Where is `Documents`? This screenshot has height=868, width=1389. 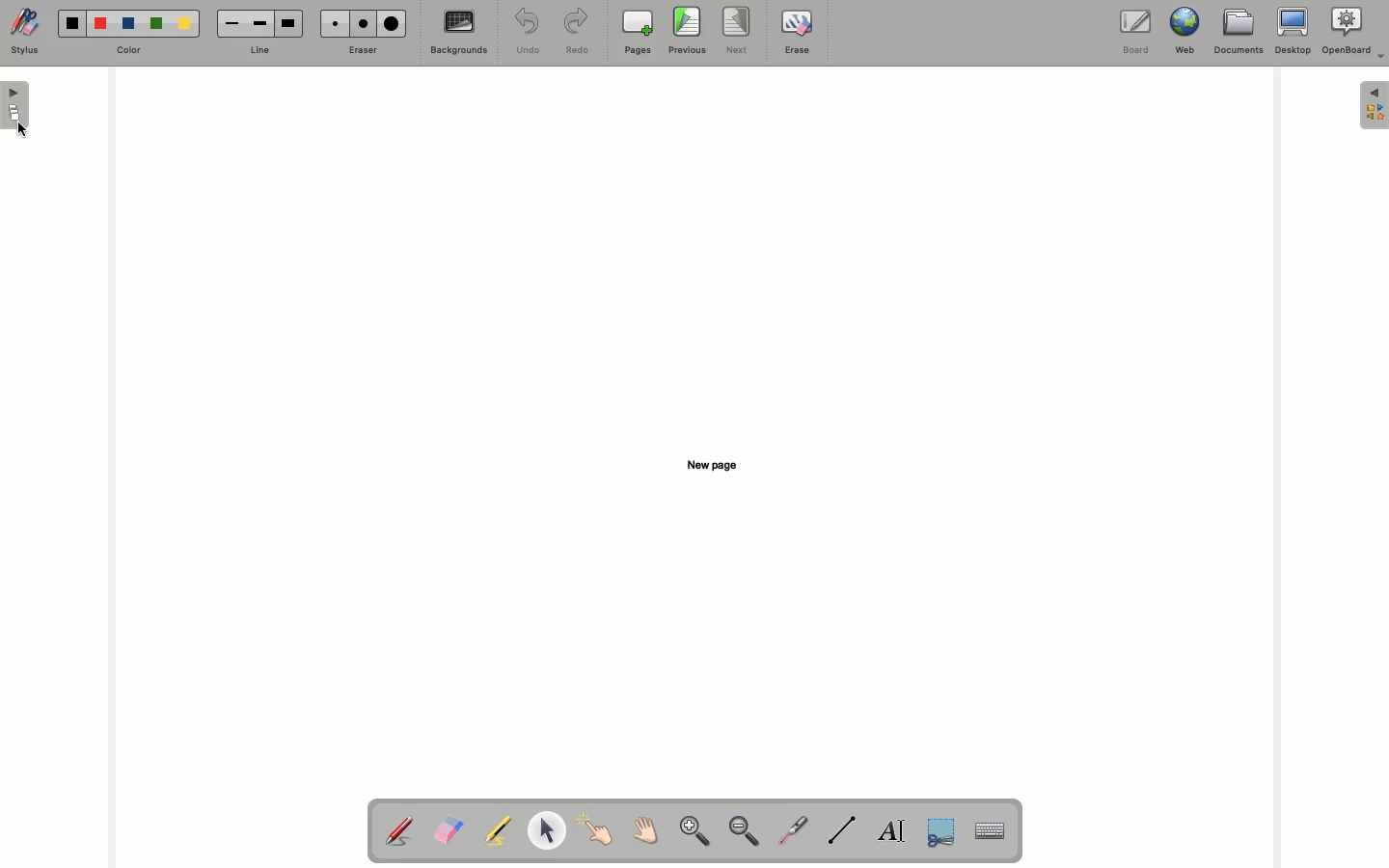 Documents is located at coordinates (1237, 32).